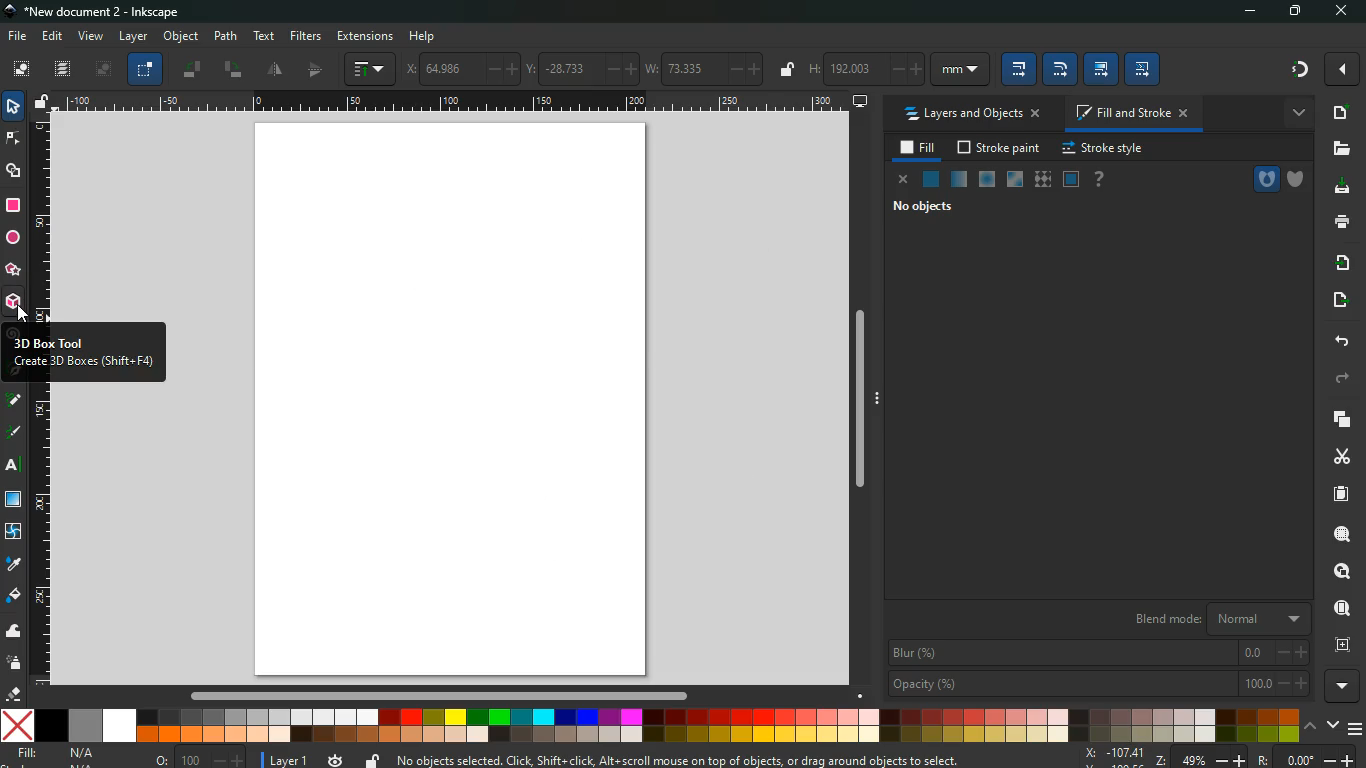  What do you see at coordinates (1100, 652) in the screenshot?
I see `blur` at bounding box center [1100, 652].